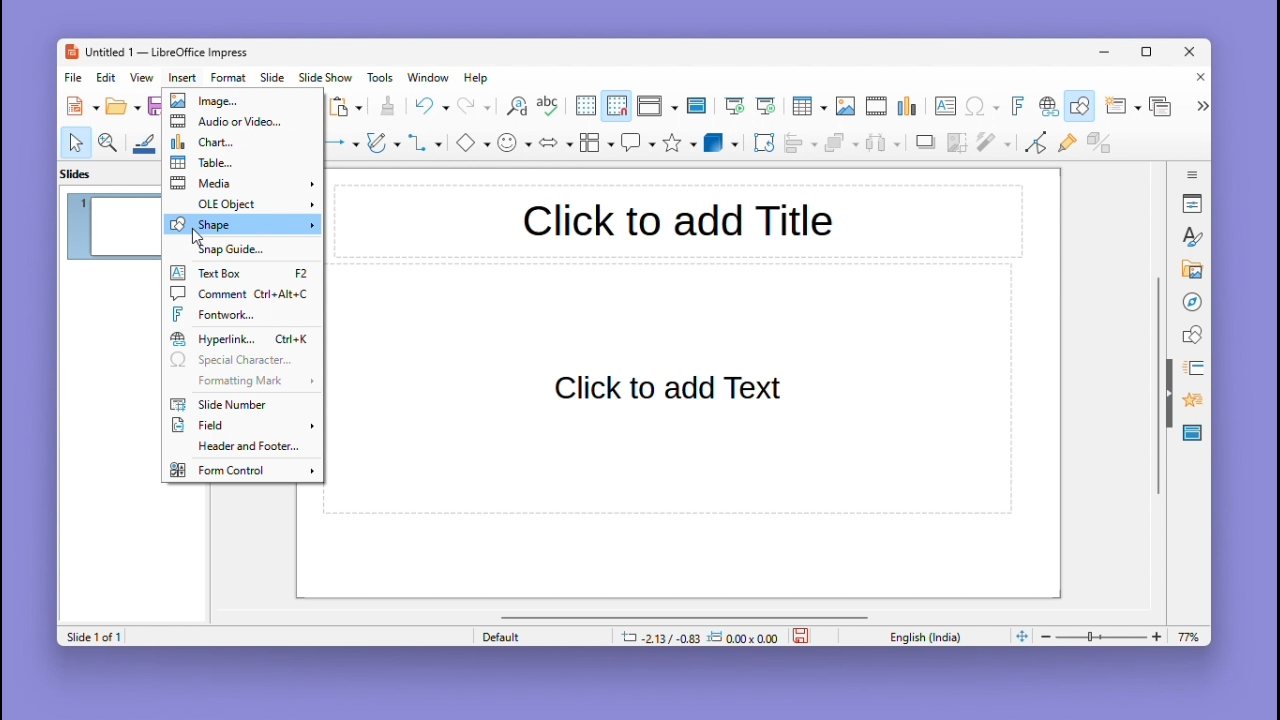  Describe the element at coordinates (930, 636) in the screenshot. I see `English` at that location.